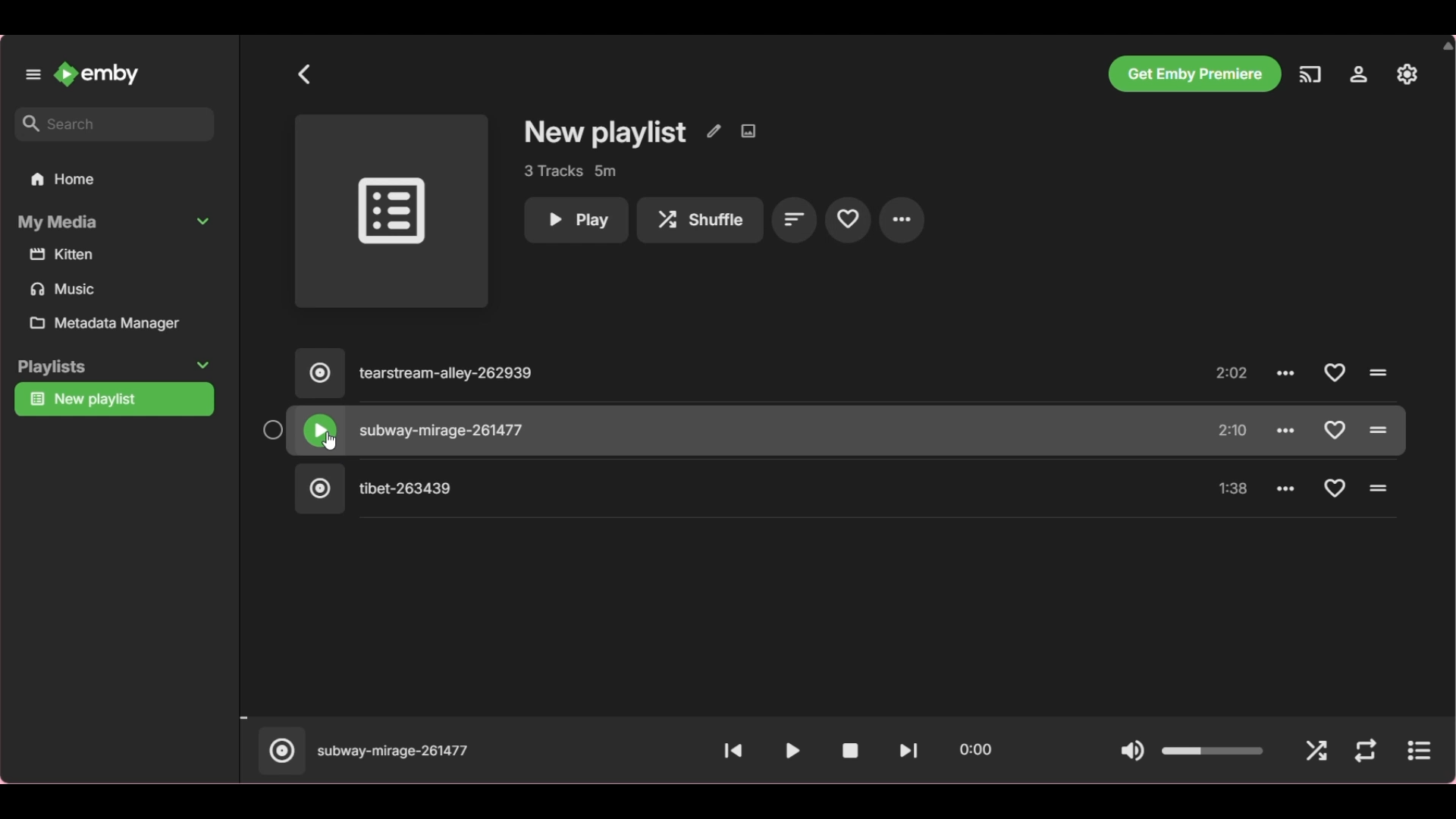  What do you see at coordinates (280, 751) in the screenshot?
I see `Click to only show current selection of song` at bounding box center [280, 751].